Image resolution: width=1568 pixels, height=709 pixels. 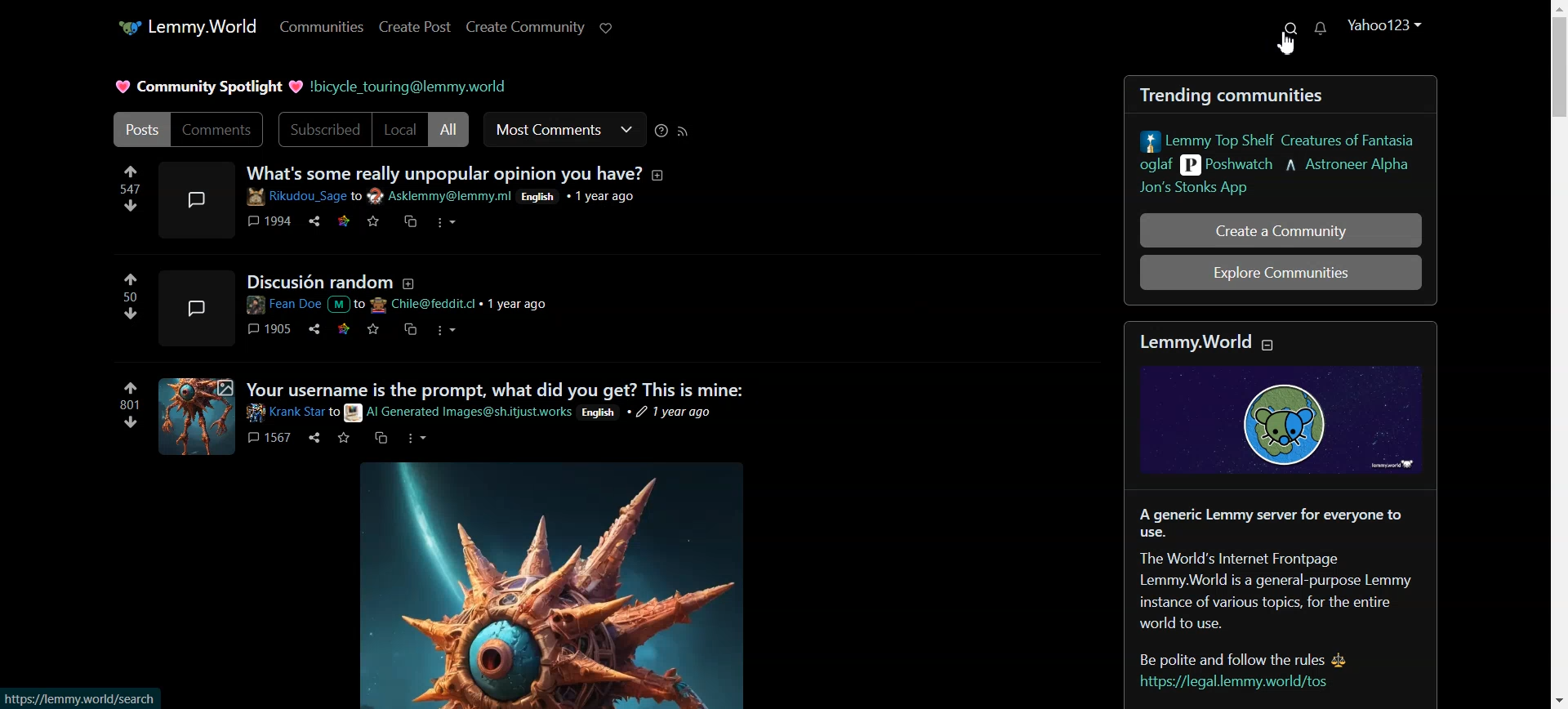 I want to click on Most Comments, so click(x=563, y=128).